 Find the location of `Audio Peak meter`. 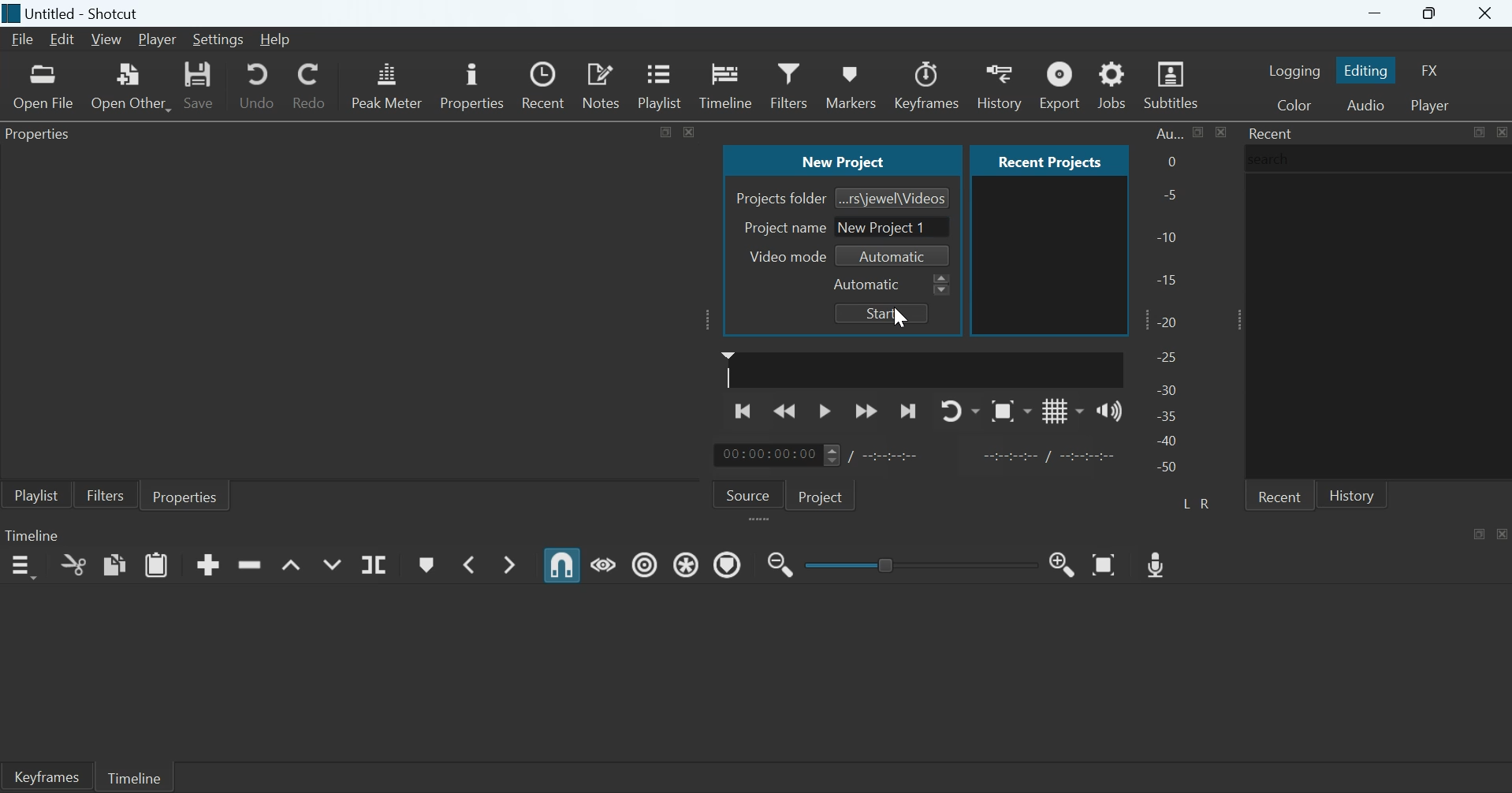

Audio Peak meter is located at coordinates (1169, 303).